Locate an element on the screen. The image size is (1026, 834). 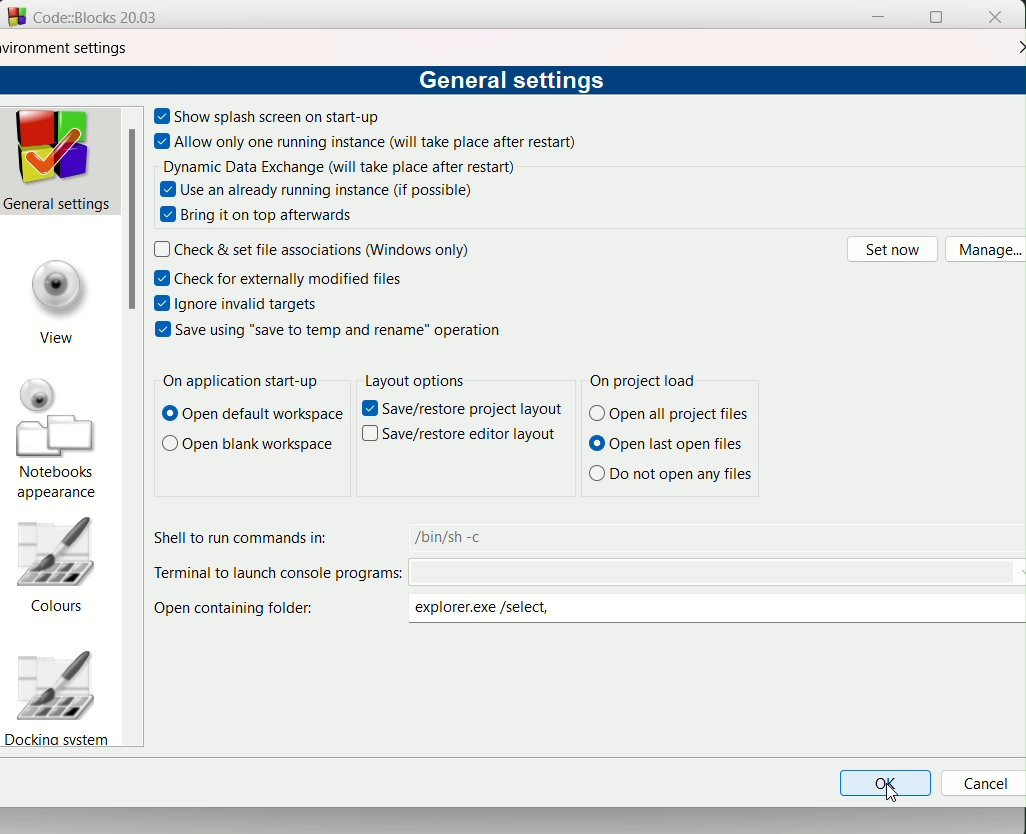
text is located at coordinates (447, 536).